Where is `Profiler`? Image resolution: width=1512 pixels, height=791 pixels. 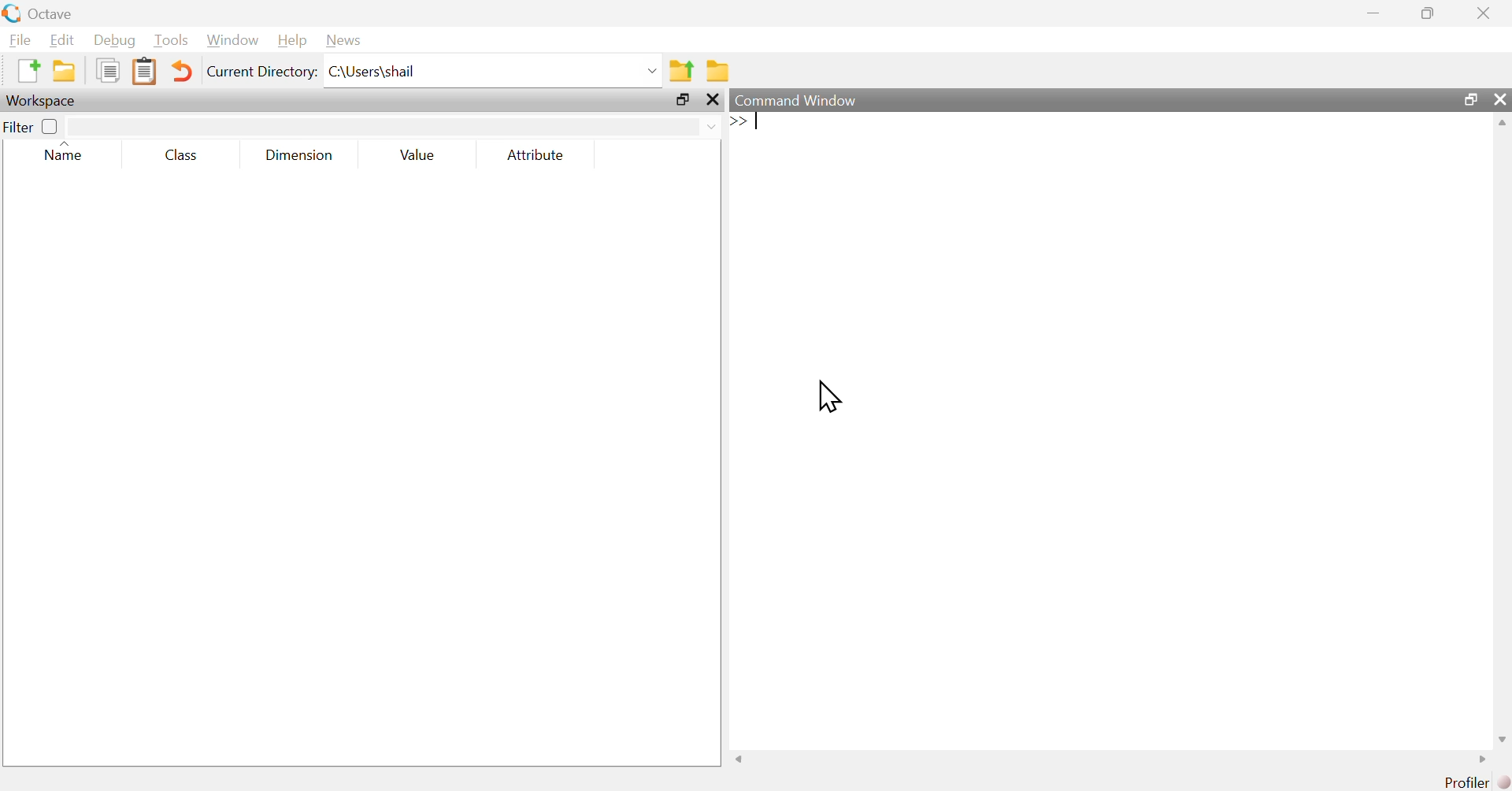 Profiler is located at coordinates (1463, 782).